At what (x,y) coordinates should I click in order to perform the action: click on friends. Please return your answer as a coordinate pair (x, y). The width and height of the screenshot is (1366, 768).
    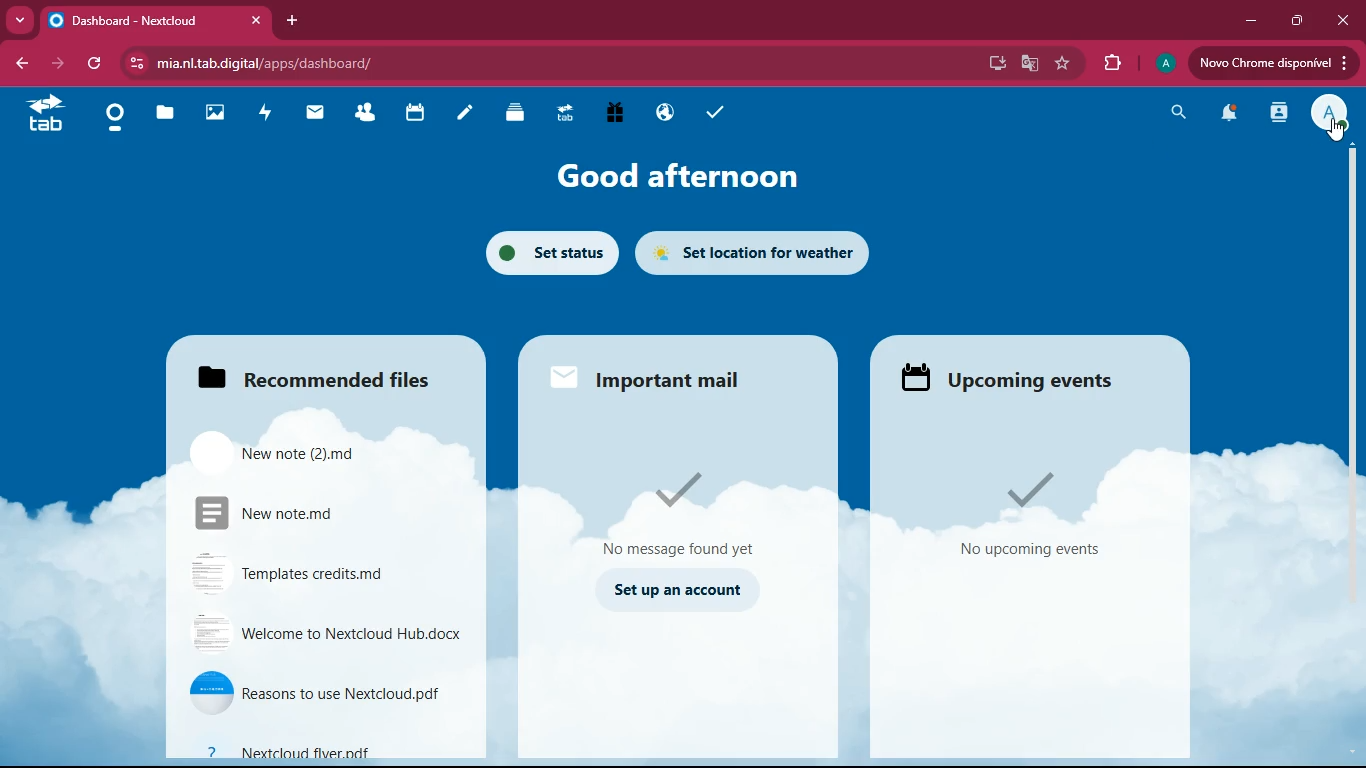
    Looking at the image, I should click on (367, 114).